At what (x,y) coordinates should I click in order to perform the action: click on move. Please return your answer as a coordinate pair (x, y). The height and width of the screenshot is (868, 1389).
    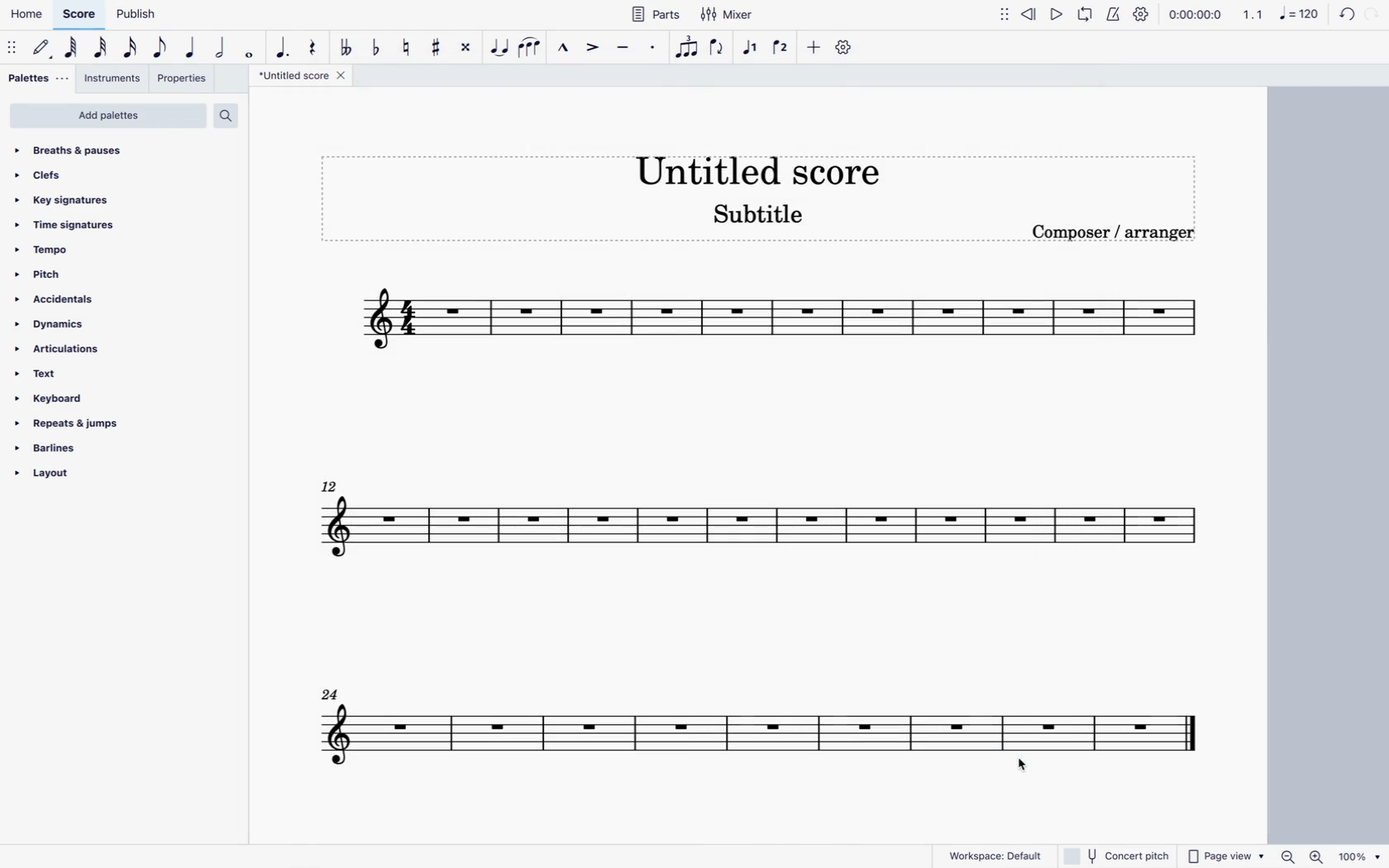
    Looking at the image, I should click on (12, 49).